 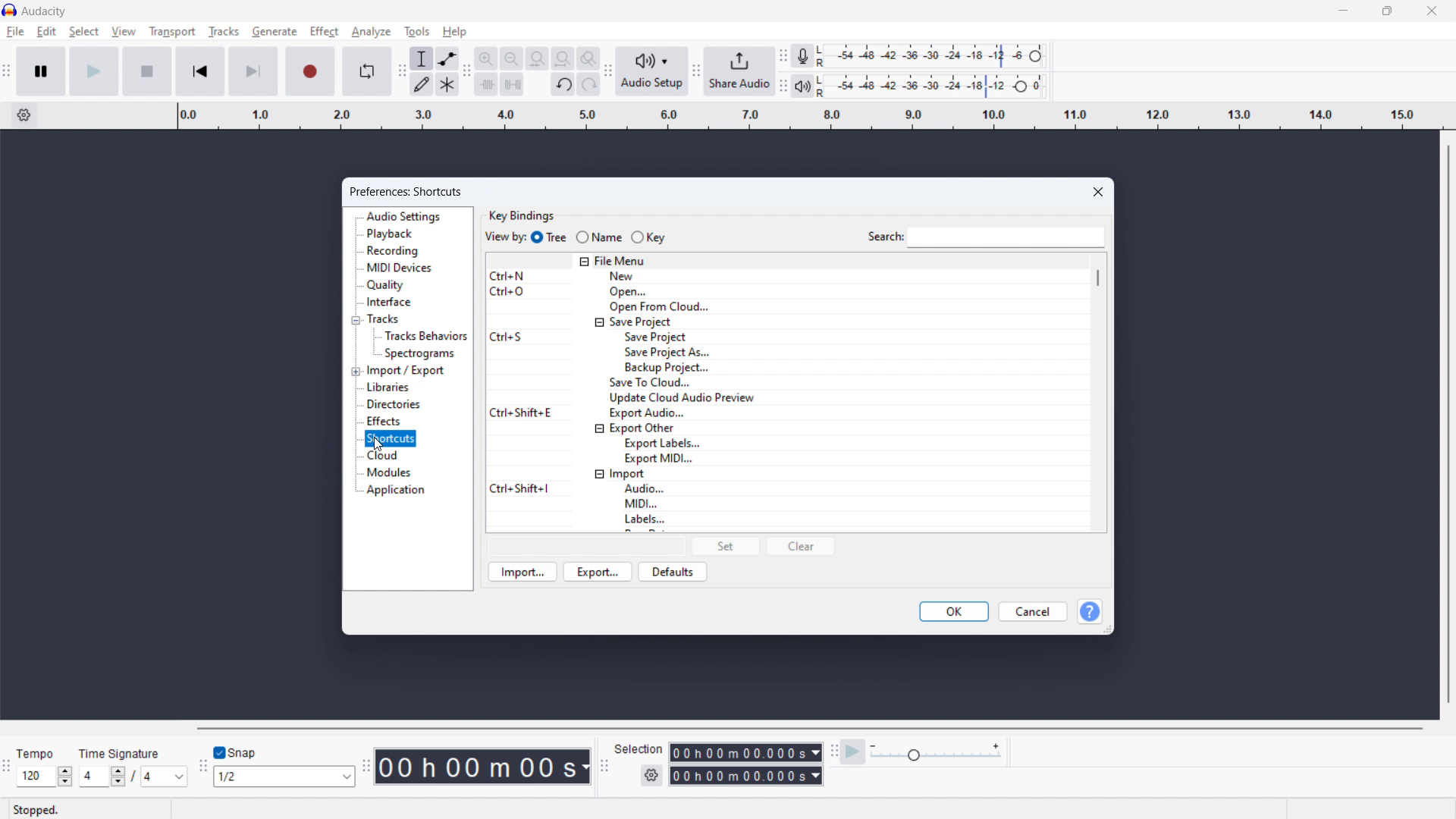 What do you see at coordinates (954, 611) in the screenshot?
I see `ok` at bounding box center [954, 611].